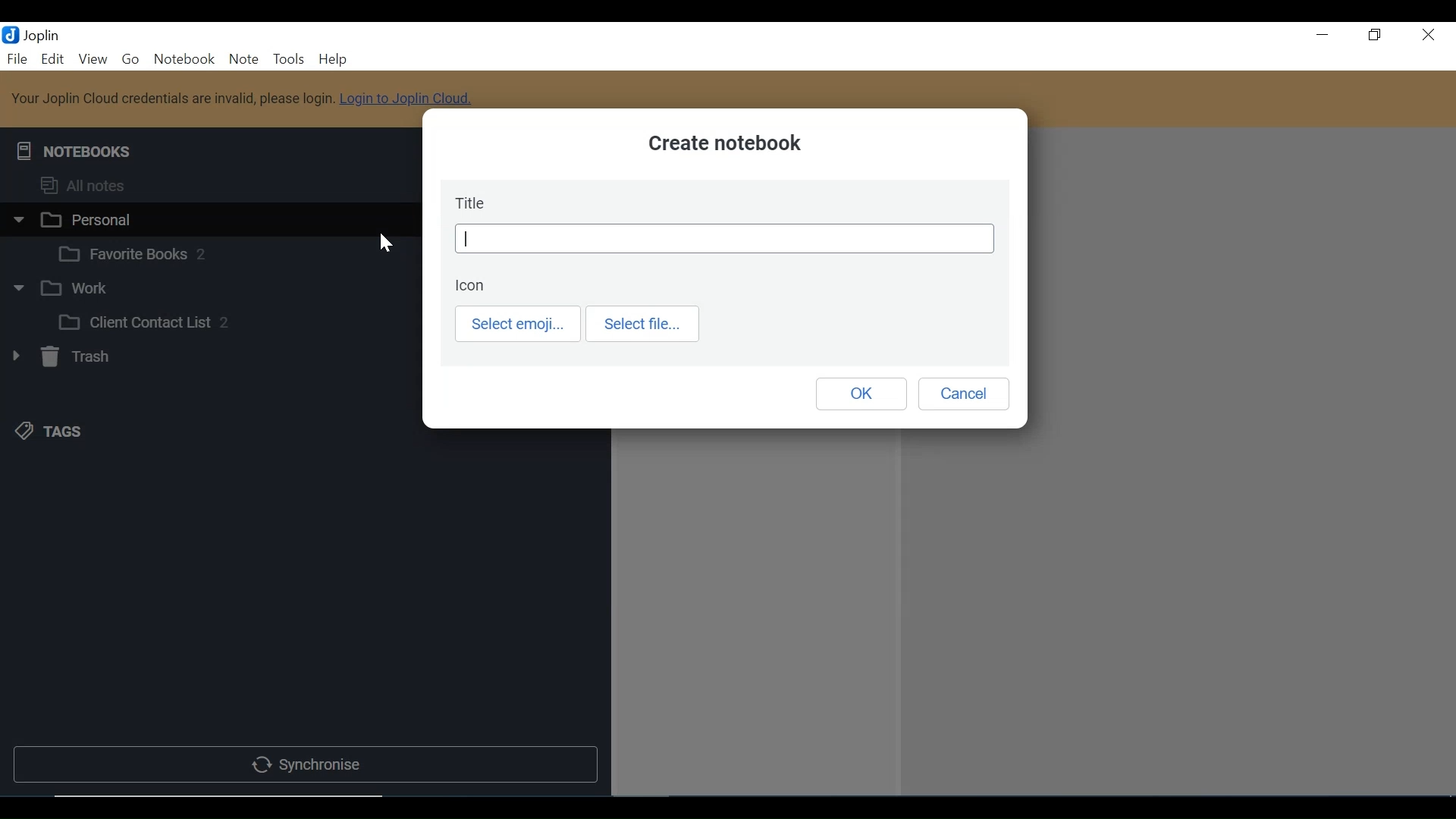 This screenshot has height=819, width=1456. What do you see at coordinates (1375, 37) in the screenshot?
I see `Restore` at bounding box center [1375, 37].